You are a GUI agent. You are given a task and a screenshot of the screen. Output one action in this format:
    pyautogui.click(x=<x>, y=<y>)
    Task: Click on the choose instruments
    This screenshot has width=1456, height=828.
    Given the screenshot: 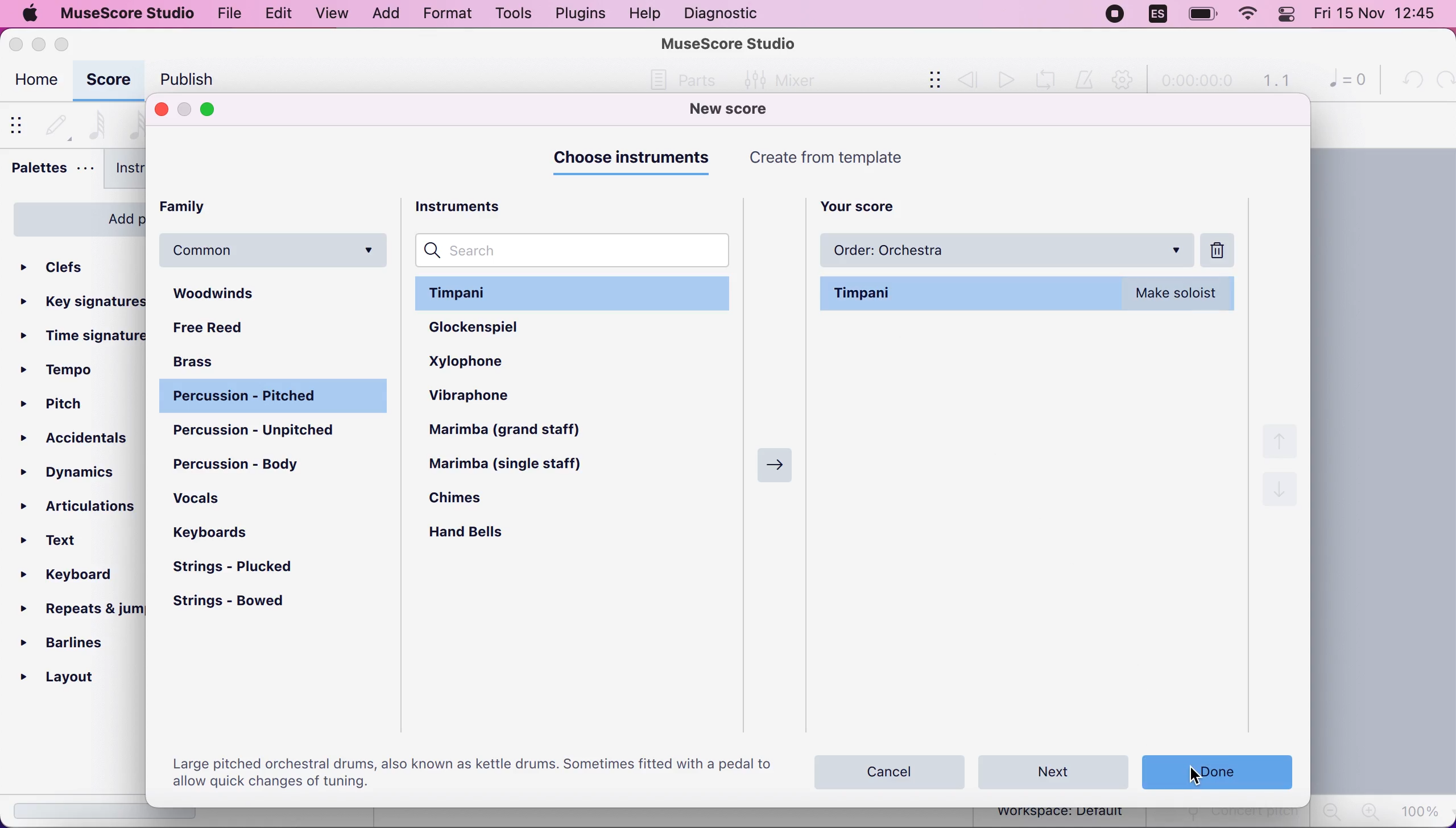 What is the action you would take?
    pyautogui.click(x=635, y=159)
    